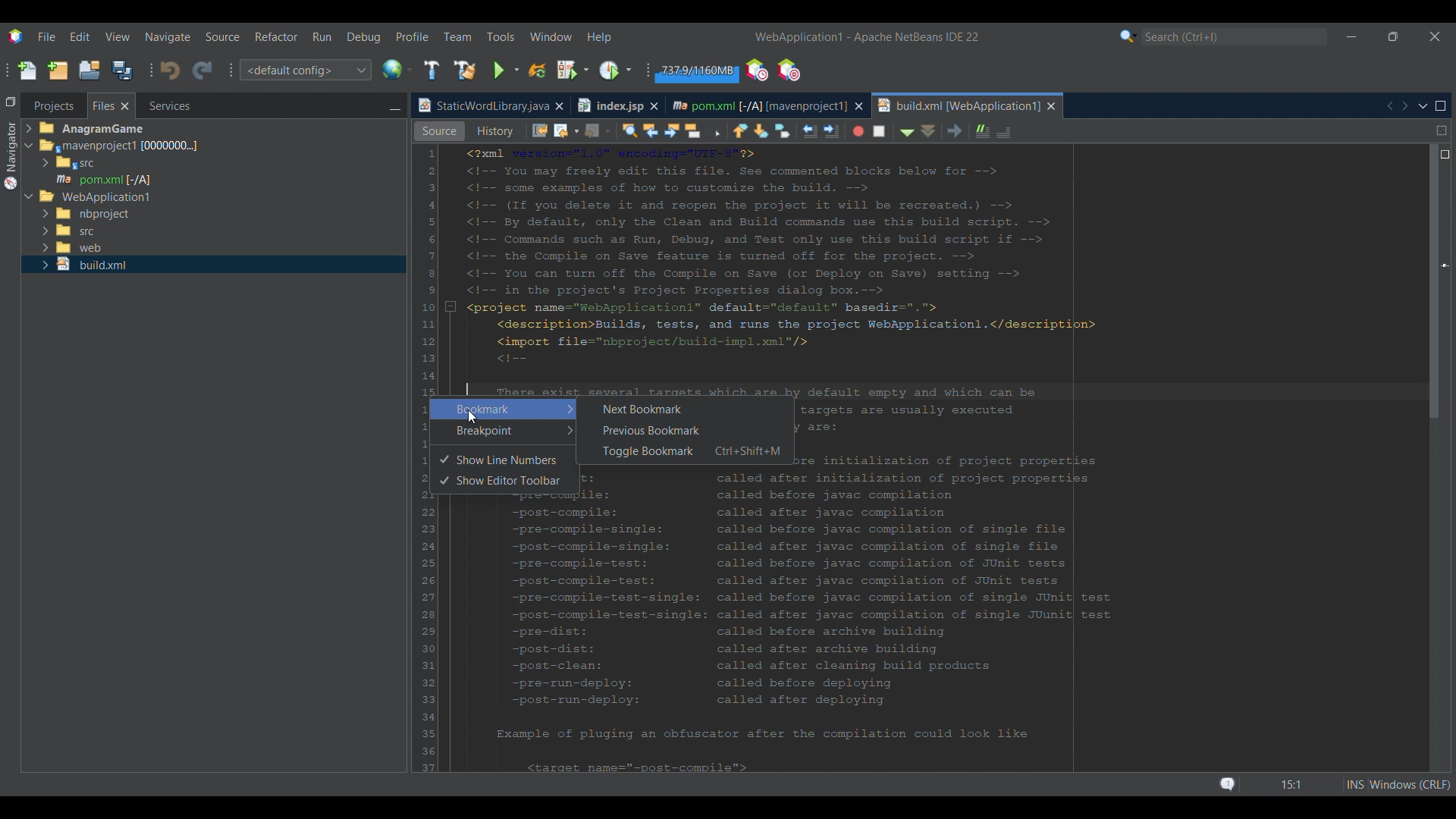 Image resolution: width=1456 pixels, height=819 pixels. Describe the element at coordinates (617, 70) in the screenshot. I see `Profile main project options` at that location.